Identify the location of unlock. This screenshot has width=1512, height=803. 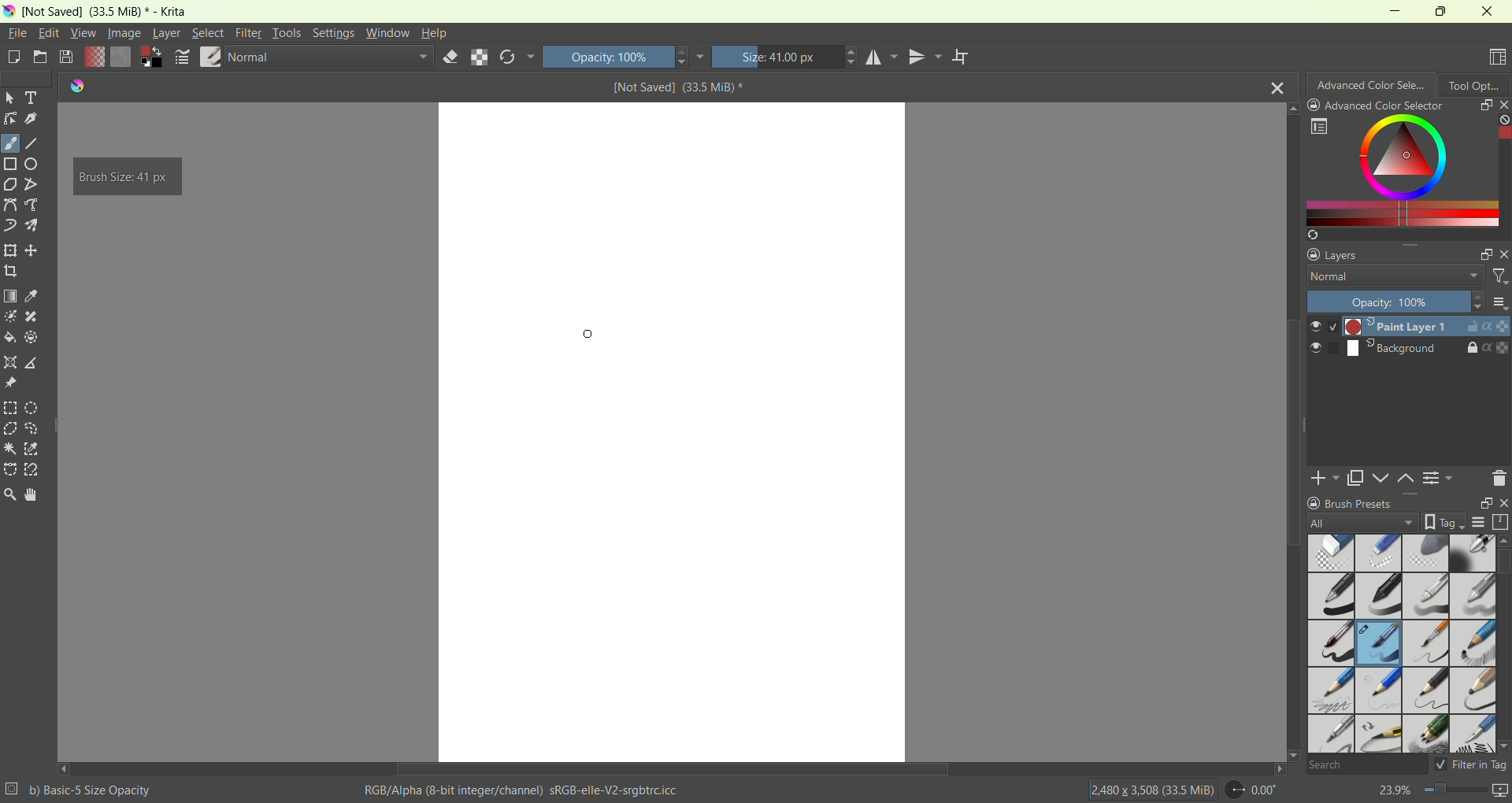
(1469, 327).